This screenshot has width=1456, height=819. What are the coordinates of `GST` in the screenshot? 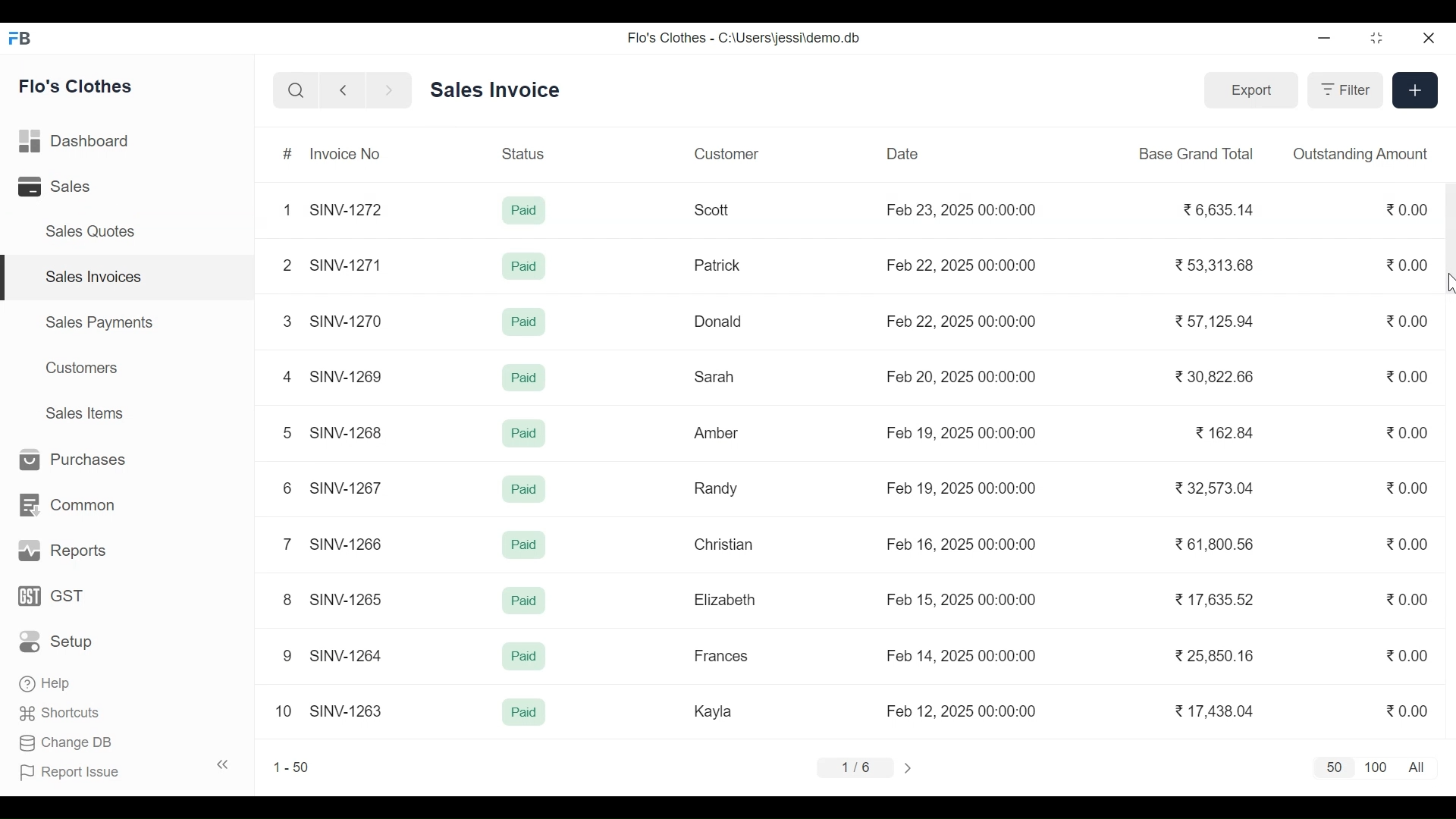 It's located at (51, 597).